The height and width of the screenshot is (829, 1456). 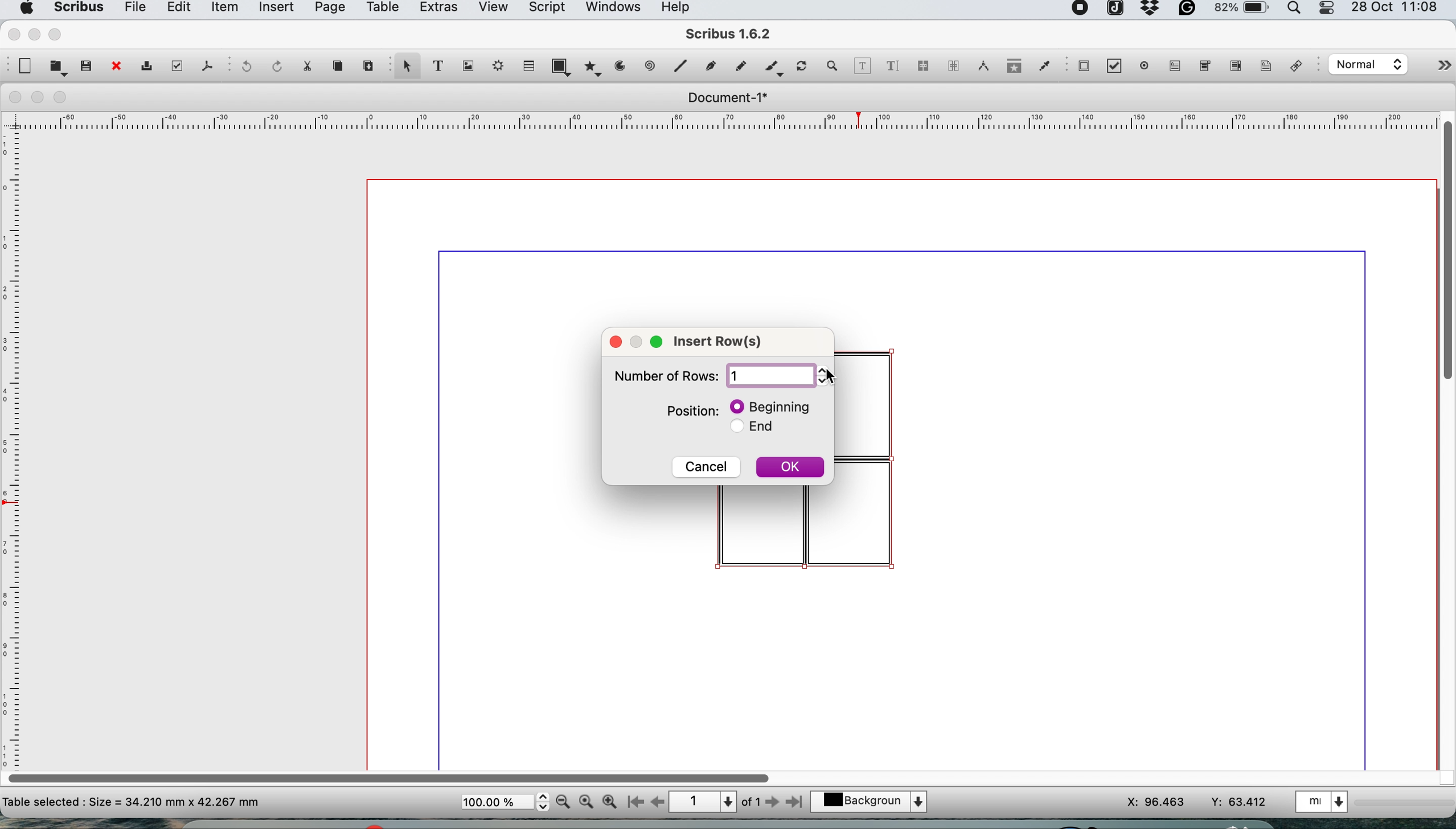 I want to click on close, so click(x=616, y=341).